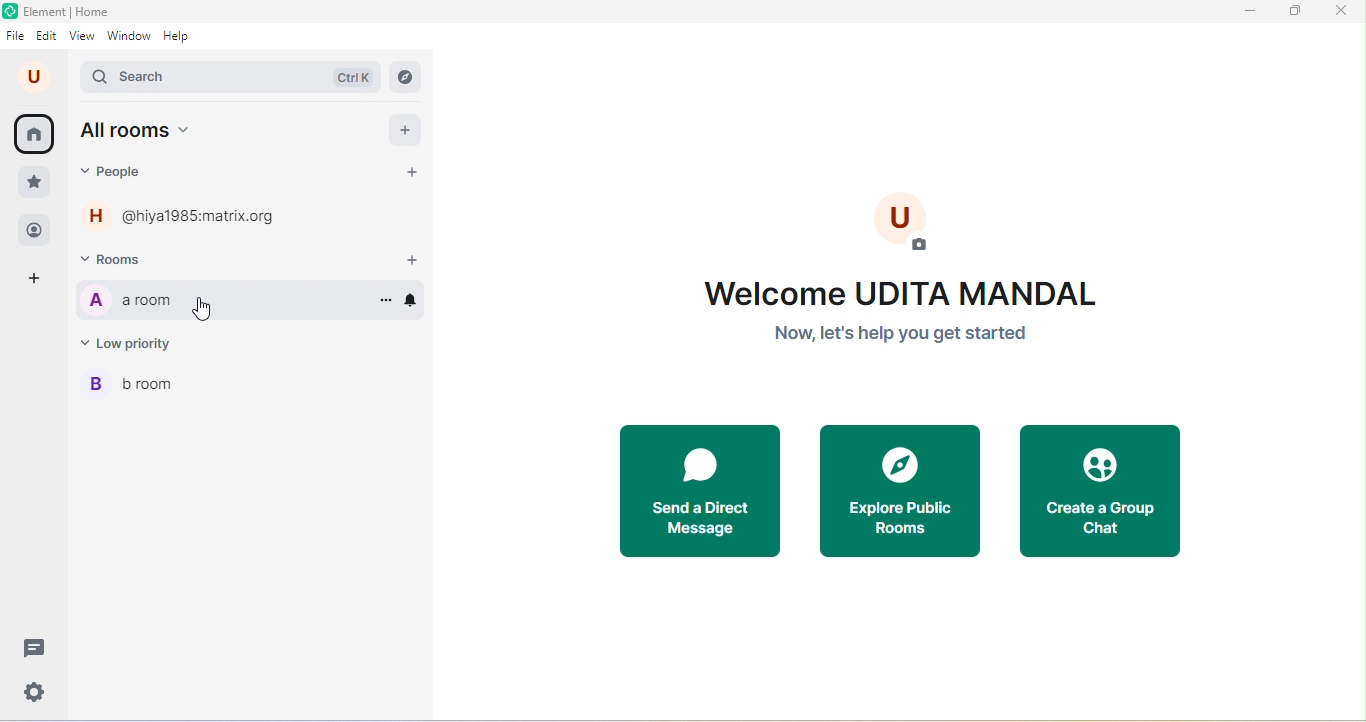  Describe the element at coordinates (414, 299) in the screenshot. I see `notifications` at that location.